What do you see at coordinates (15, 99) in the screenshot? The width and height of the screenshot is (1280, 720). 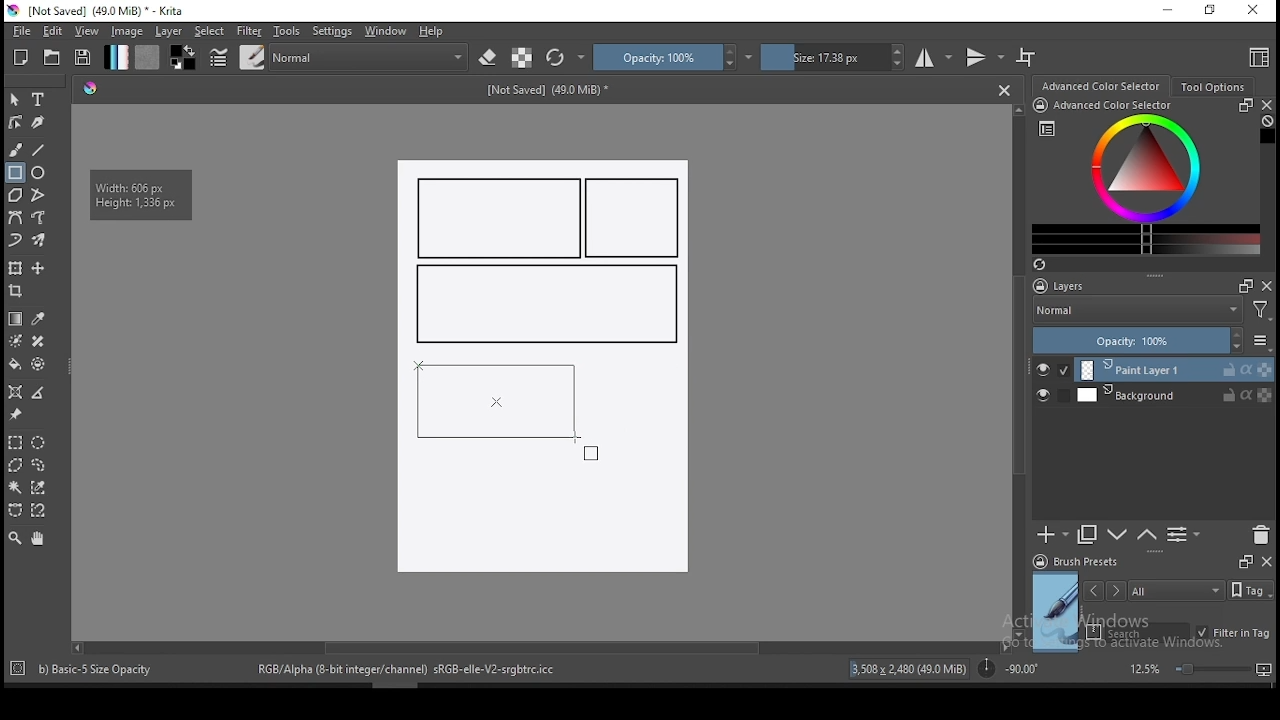 I see `select shapes tool` at bounding box center [15, 99].